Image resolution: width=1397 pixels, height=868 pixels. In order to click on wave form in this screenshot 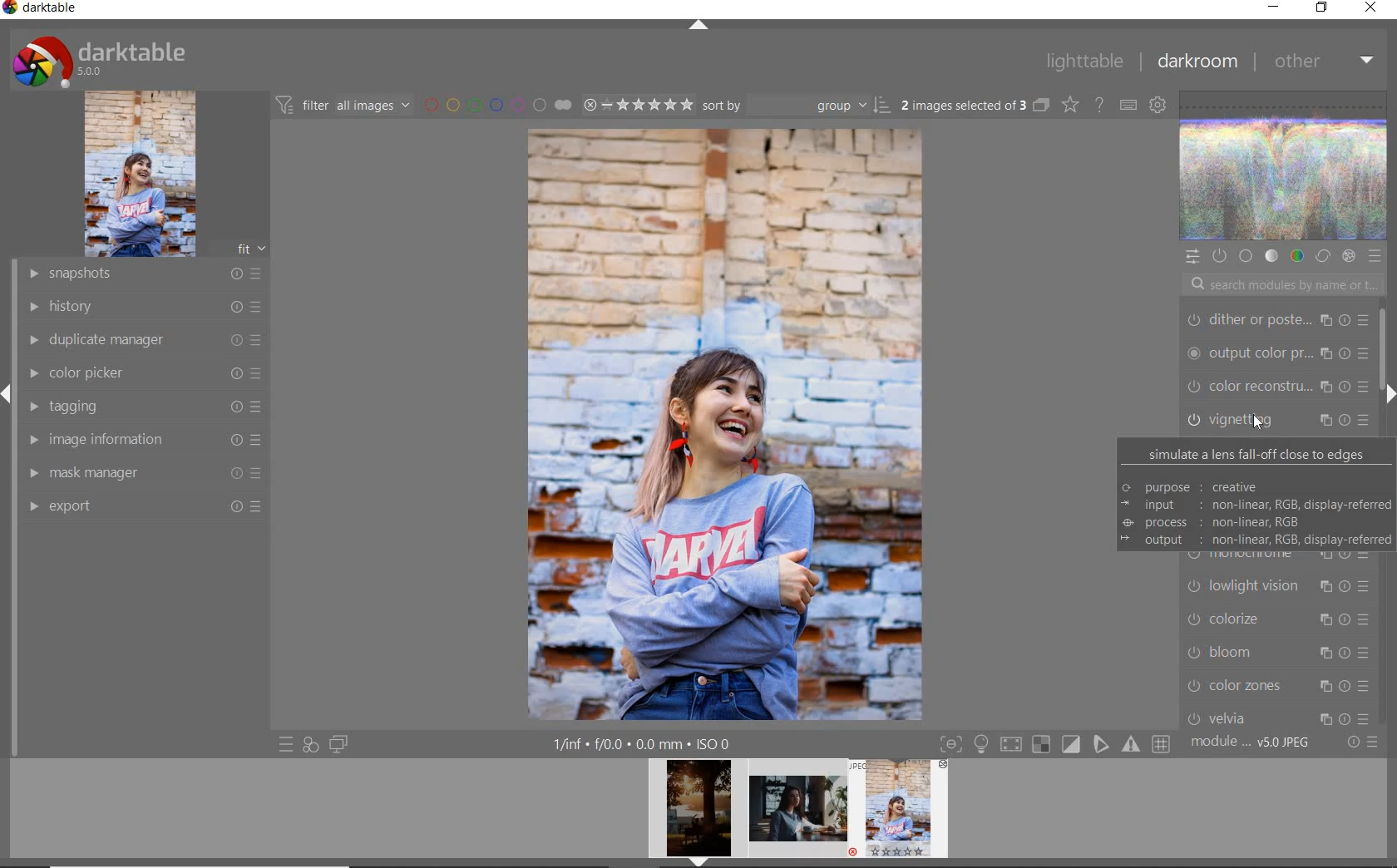, I will do `click(1285, 167)`.